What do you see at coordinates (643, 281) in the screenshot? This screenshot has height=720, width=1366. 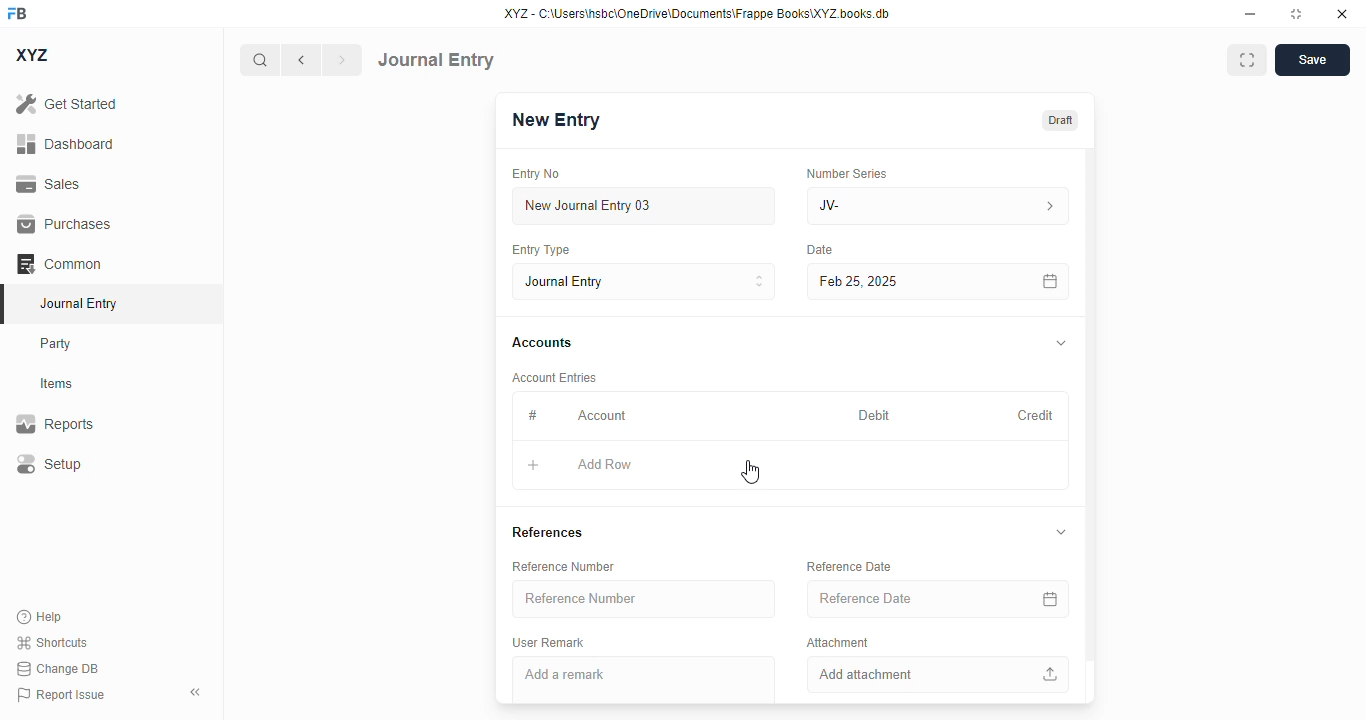 I see `entry type` at bounding box center [643, 281].